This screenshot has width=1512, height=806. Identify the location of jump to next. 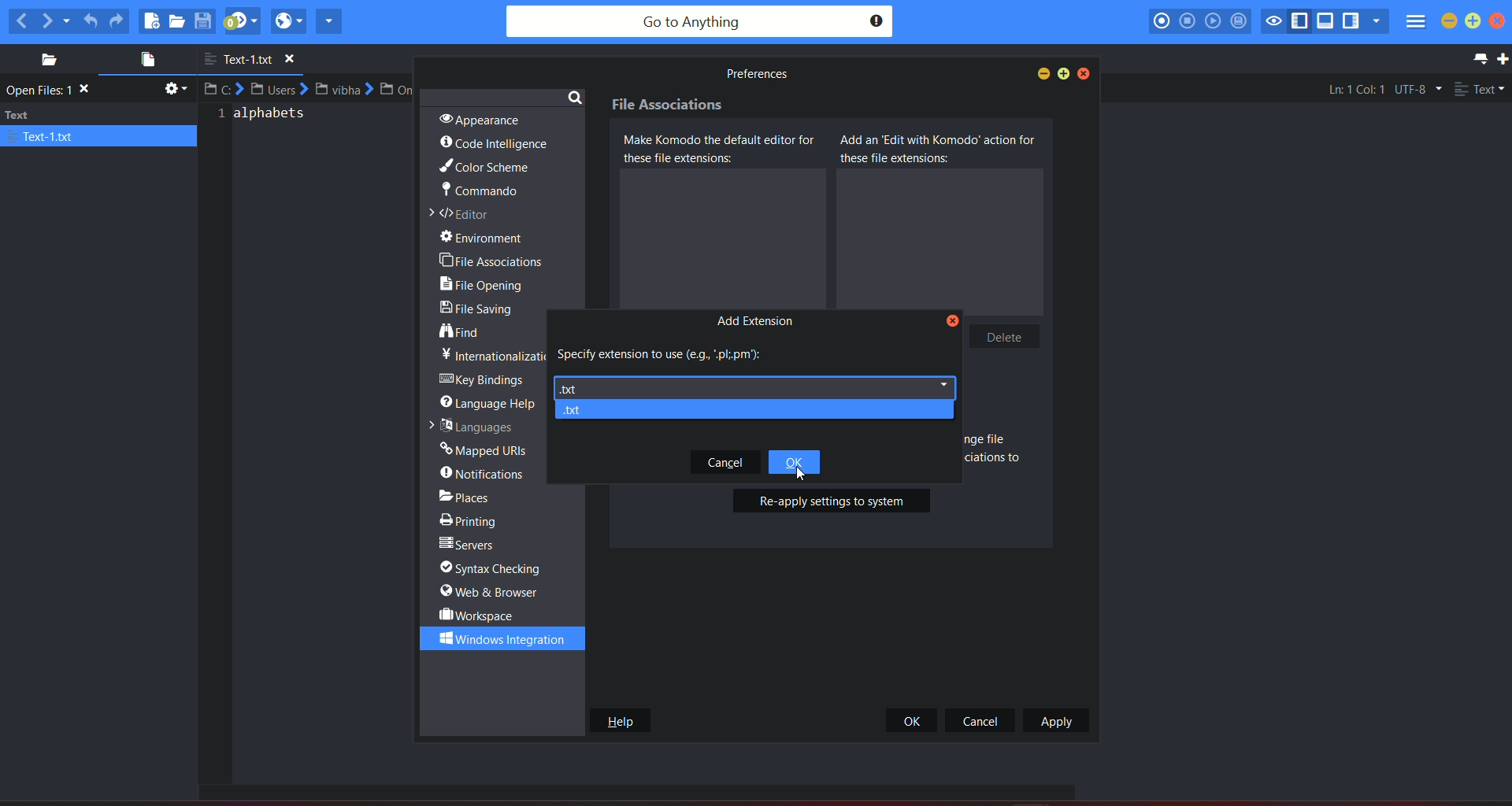
(242, 21).